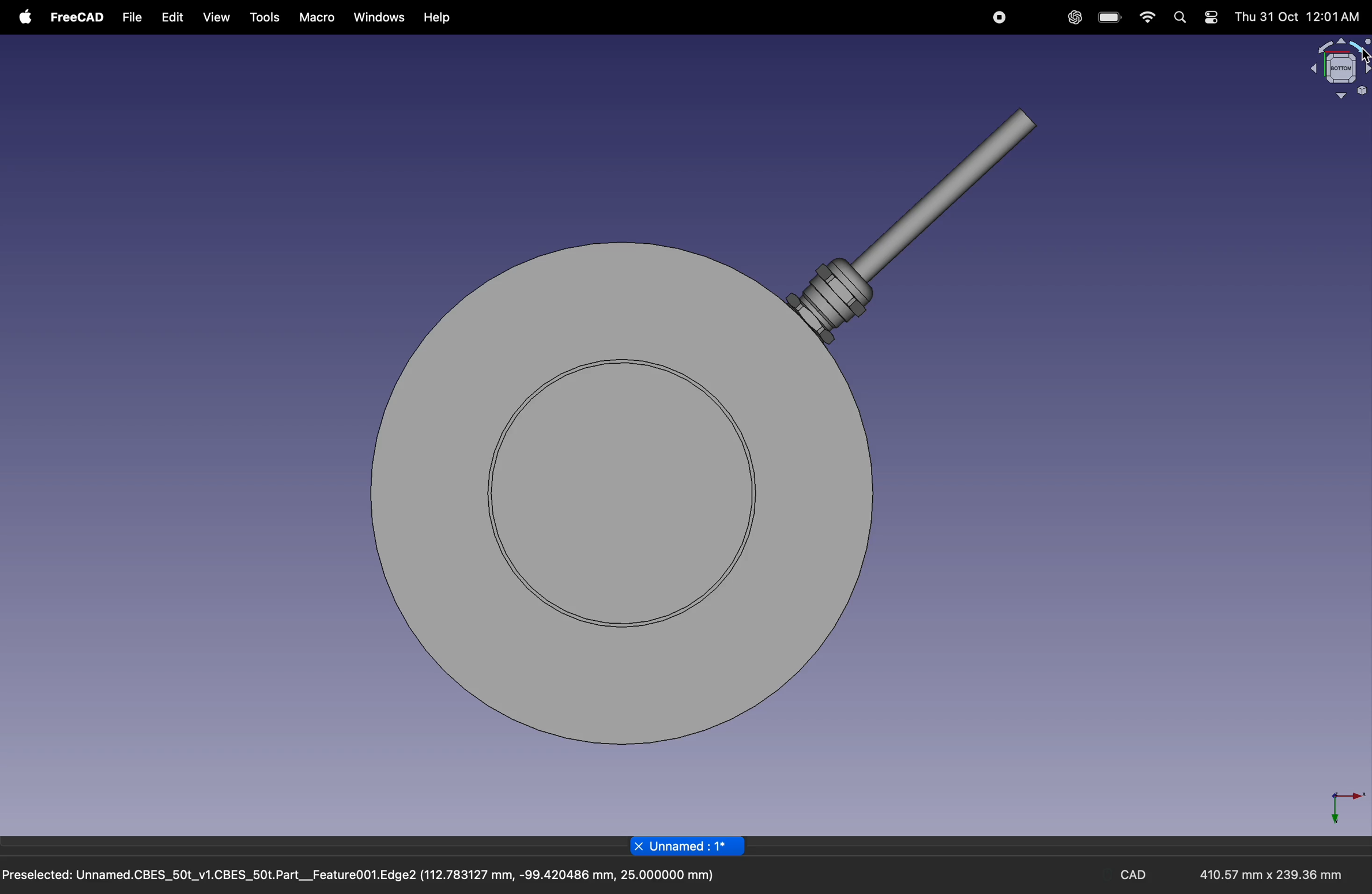 Image resolution: width=1372 pixels, height=894 pixels. I want to click on settings, so click(1211, 19).